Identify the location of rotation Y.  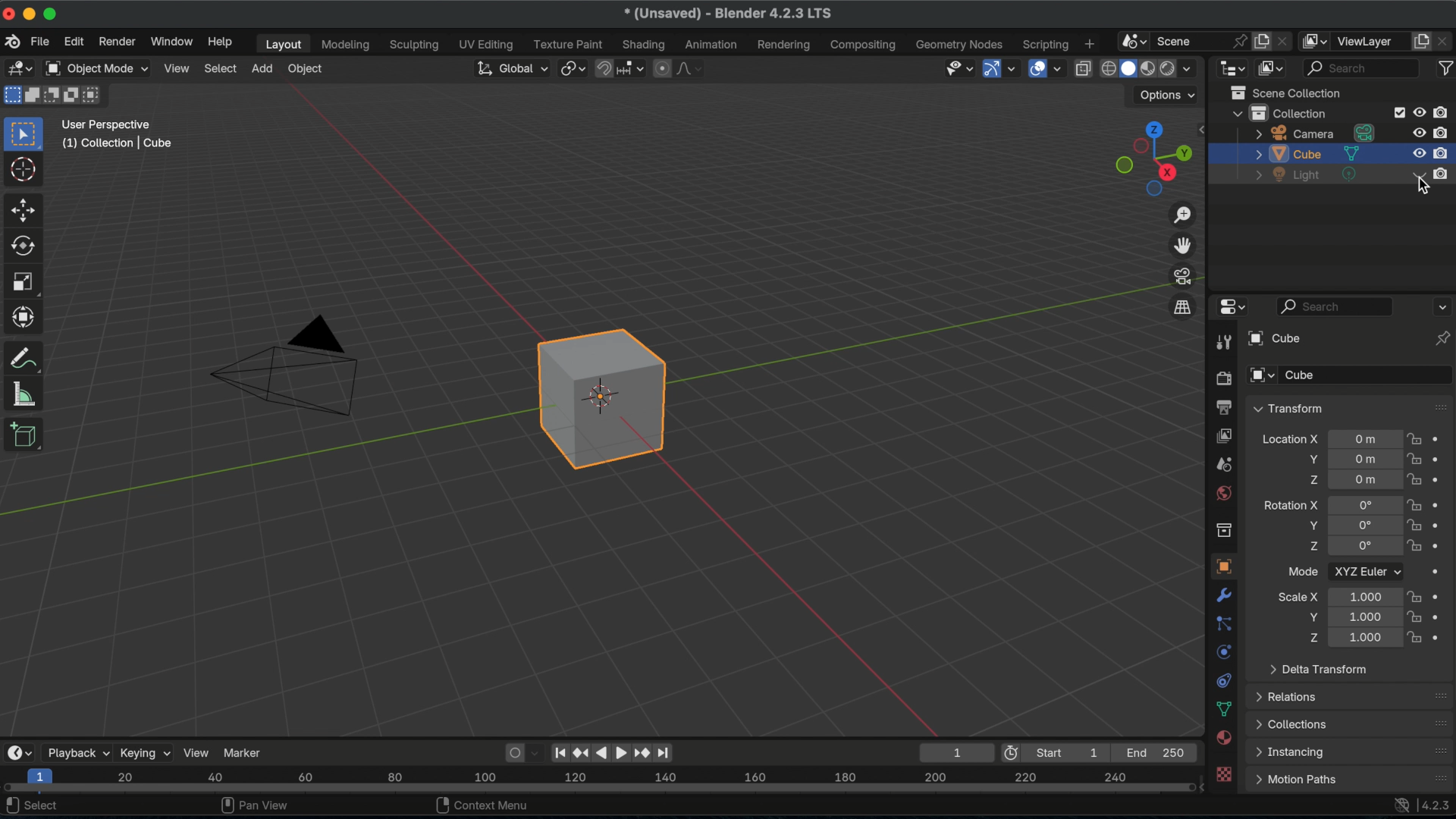
(1310, 525).